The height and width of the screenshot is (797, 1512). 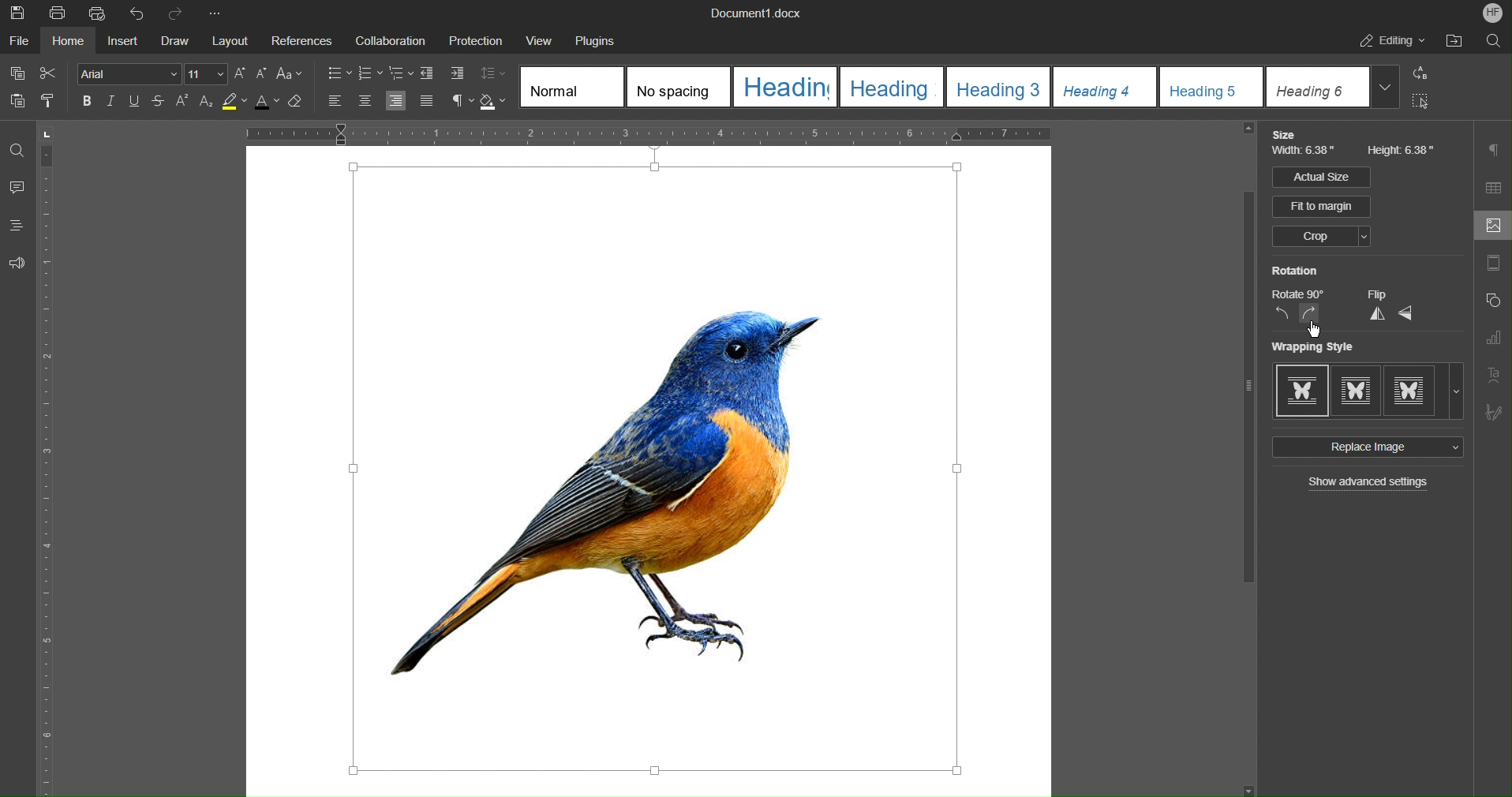 I want to click on Actual Size, so click(x=1320, y=178).